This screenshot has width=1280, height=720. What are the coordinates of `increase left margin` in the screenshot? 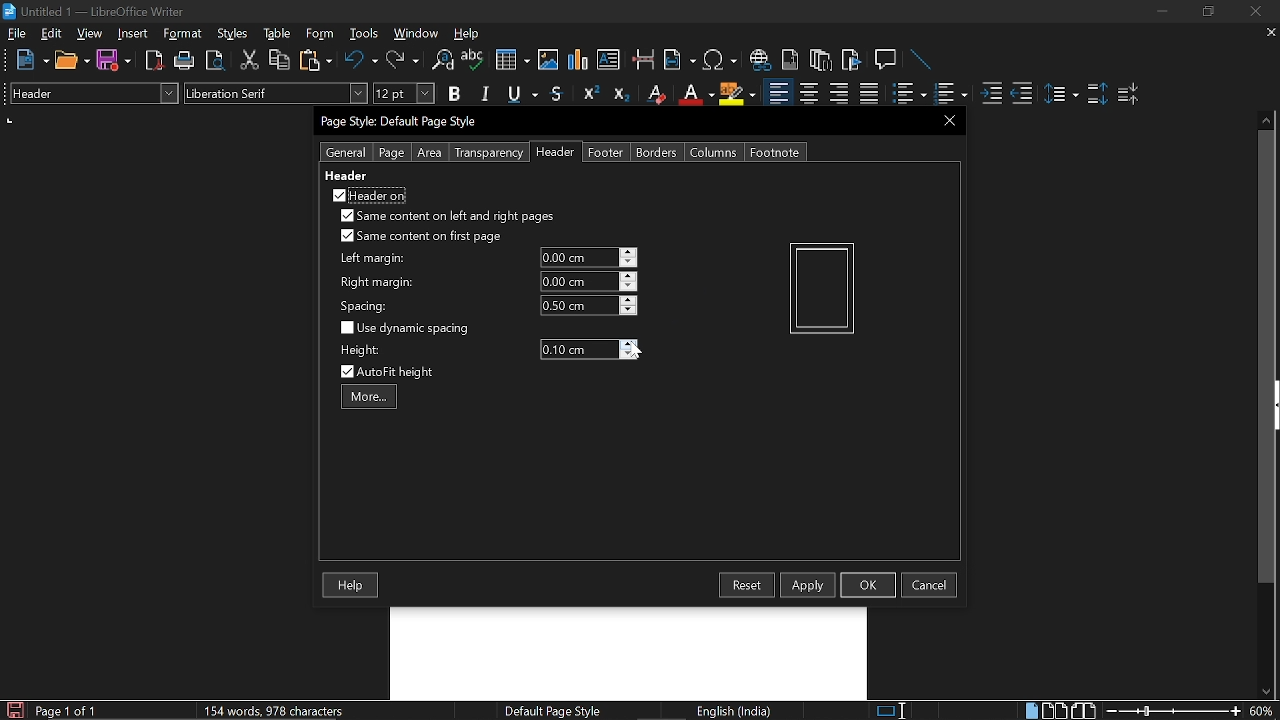 It's located at (629, 252).